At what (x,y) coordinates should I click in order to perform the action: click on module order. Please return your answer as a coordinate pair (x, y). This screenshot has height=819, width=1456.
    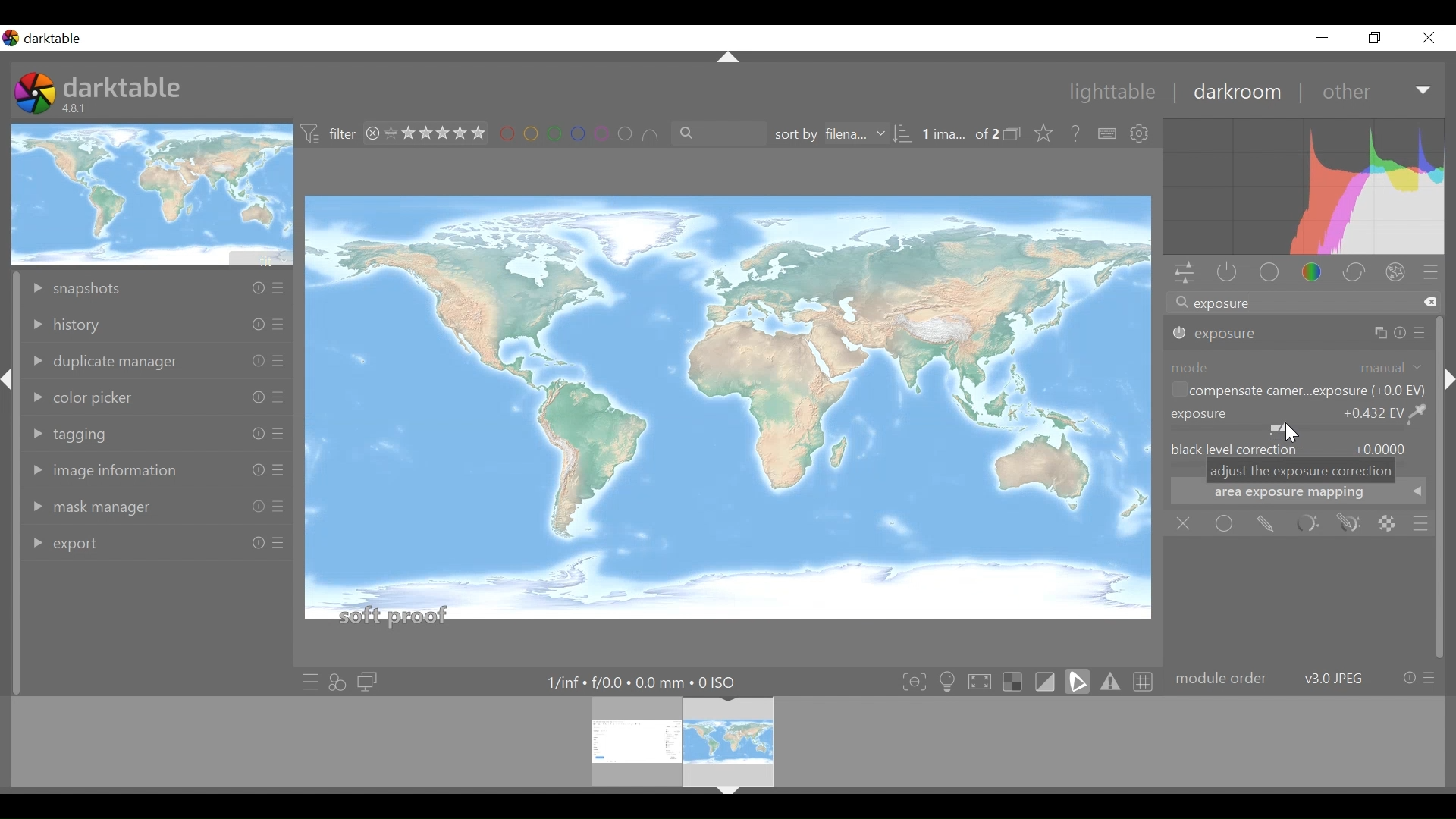
    Looking at the image, I should click on (1304, 679).